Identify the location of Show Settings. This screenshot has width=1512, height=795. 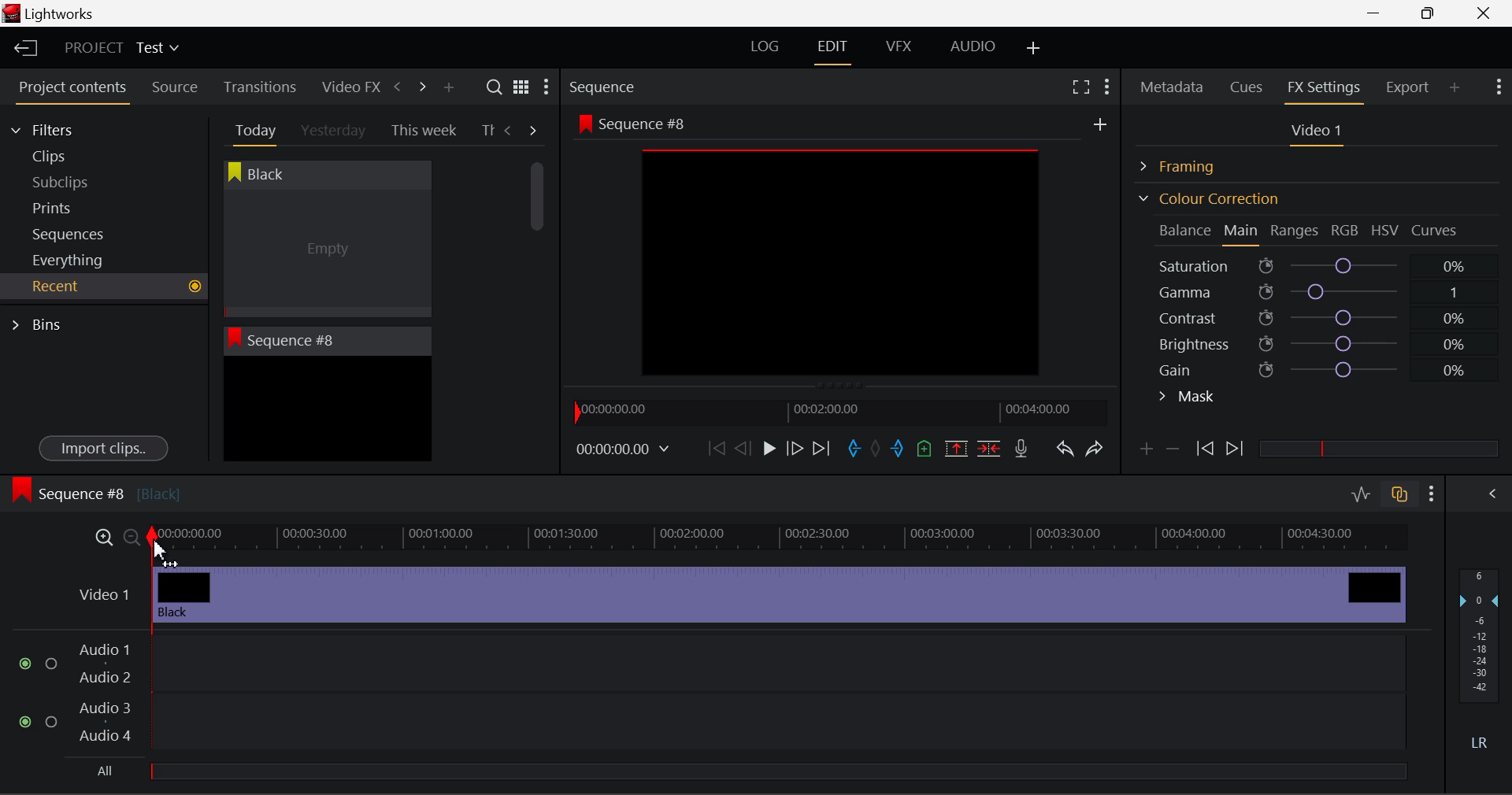
(1432, 494).